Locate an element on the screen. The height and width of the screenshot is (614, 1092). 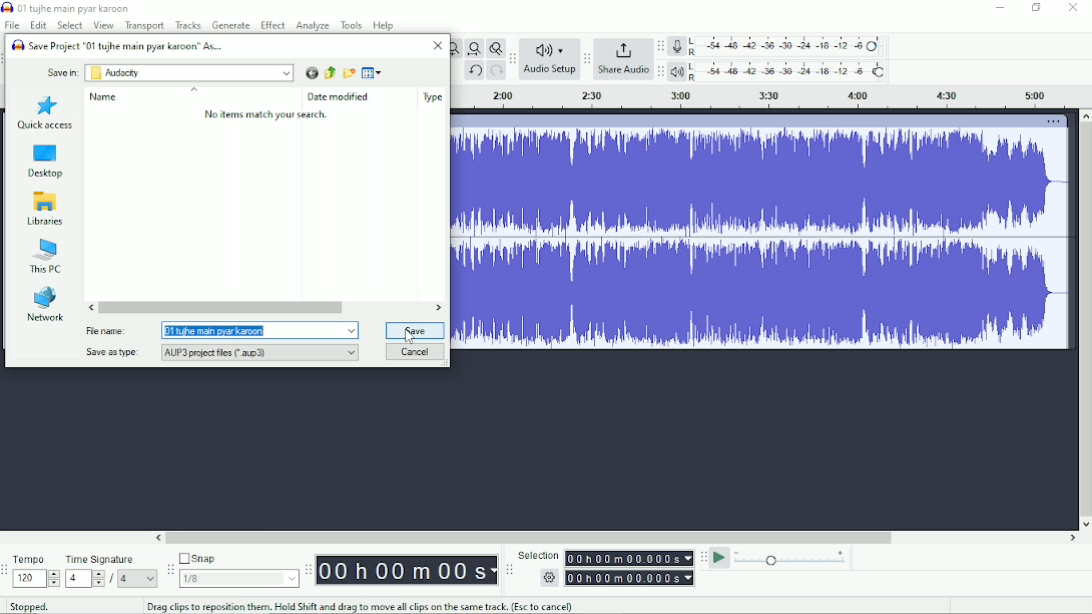
Save project is located at coordinates (118, 44).